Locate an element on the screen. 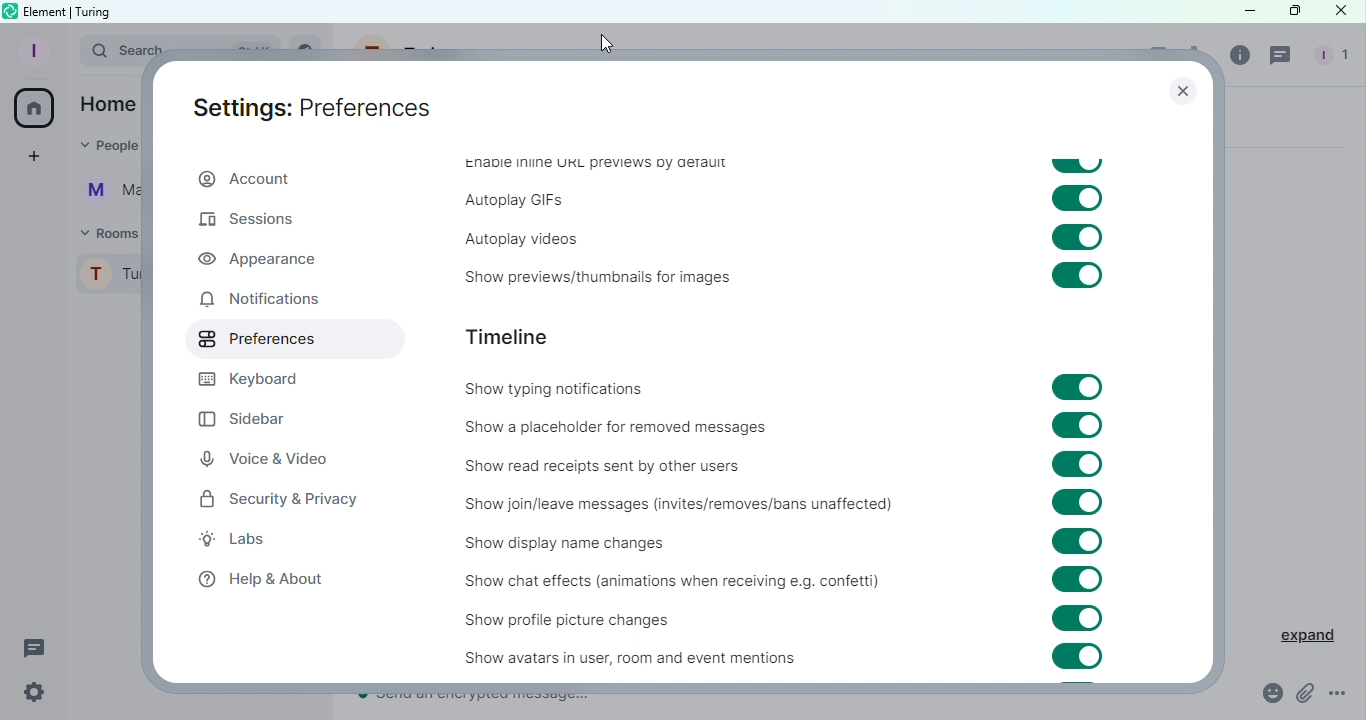  turing is located at coordinates (96, 11).